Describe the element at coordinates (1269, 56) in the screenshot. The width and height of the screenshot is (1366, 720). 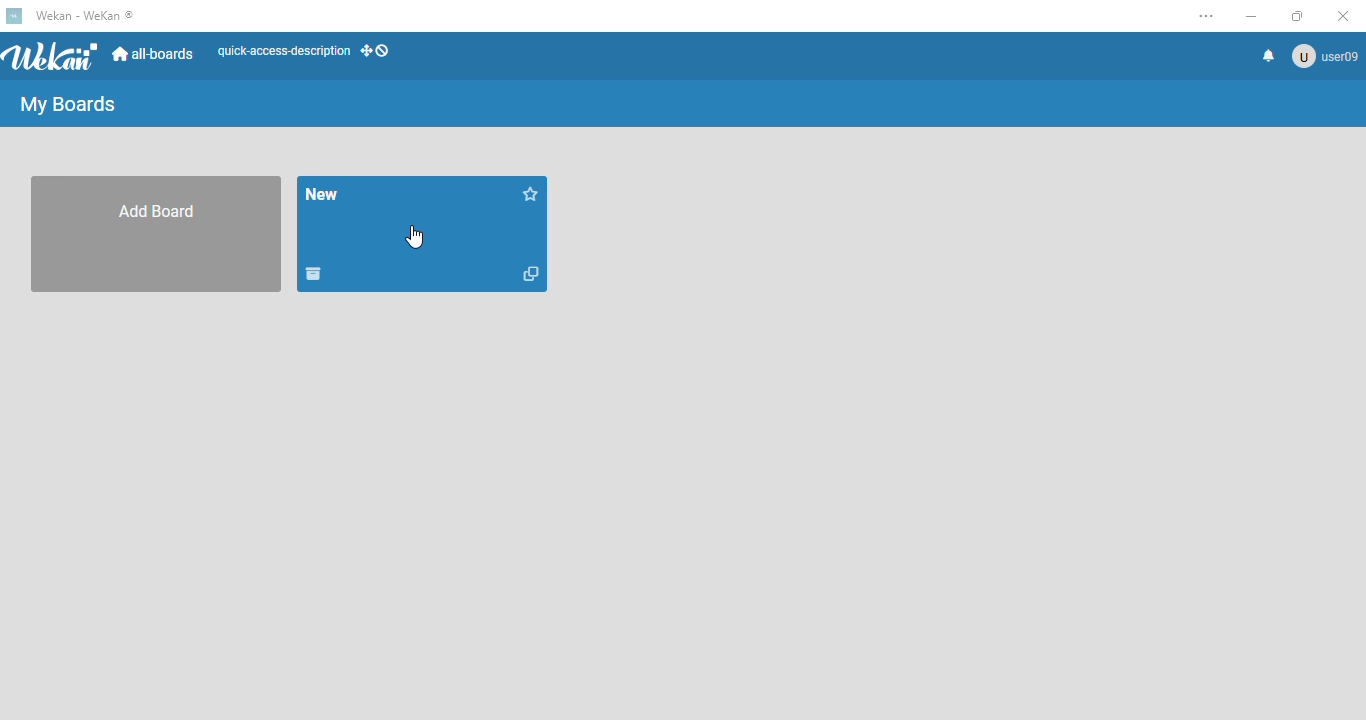
I see `notifications` at that location.